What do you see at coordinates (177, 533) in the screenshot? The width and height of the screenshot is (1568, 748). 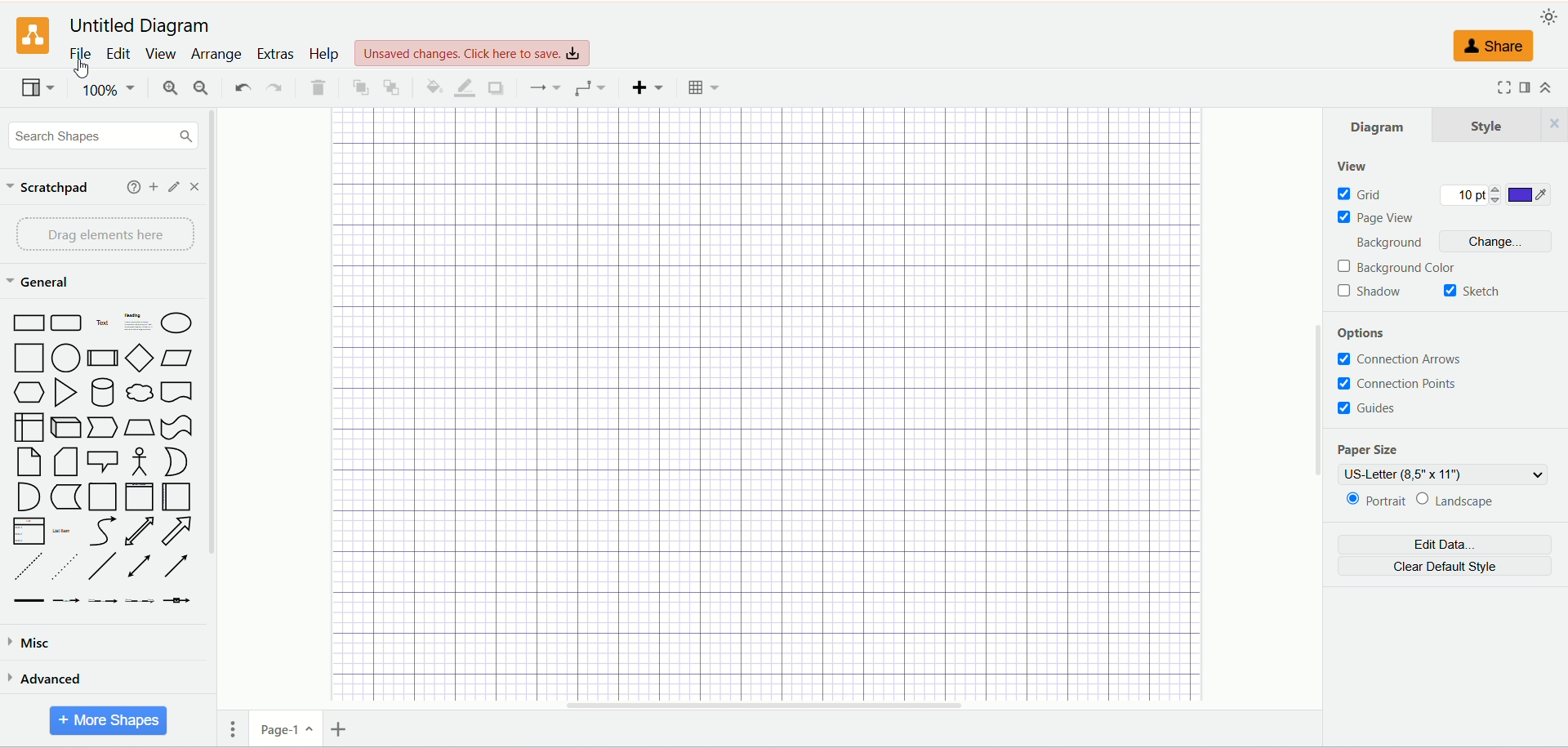 I see `Arrow` at bounding box center [177, 533].